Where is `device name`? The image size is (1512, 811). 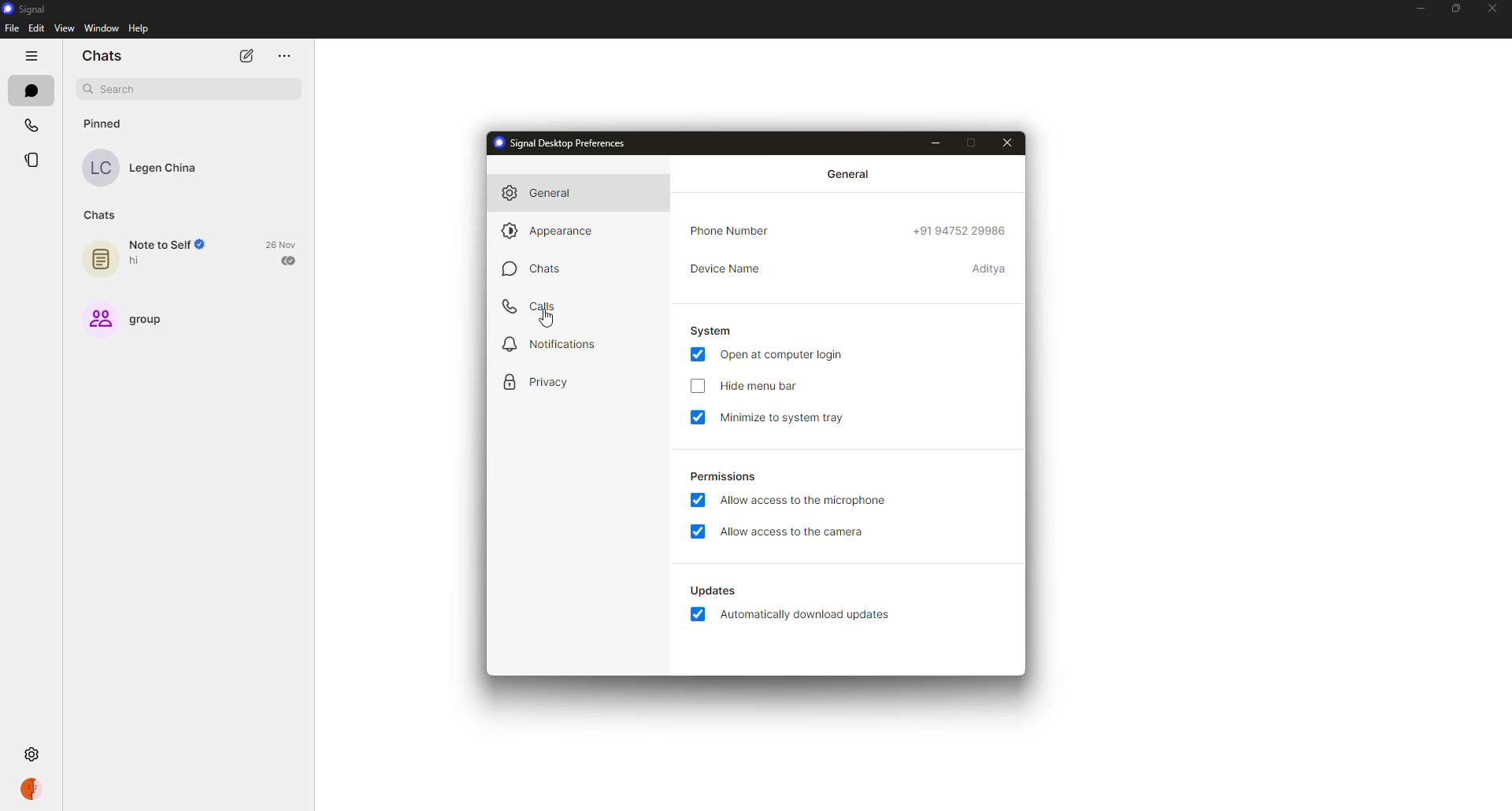
device name is located at coordinates (992, 269).